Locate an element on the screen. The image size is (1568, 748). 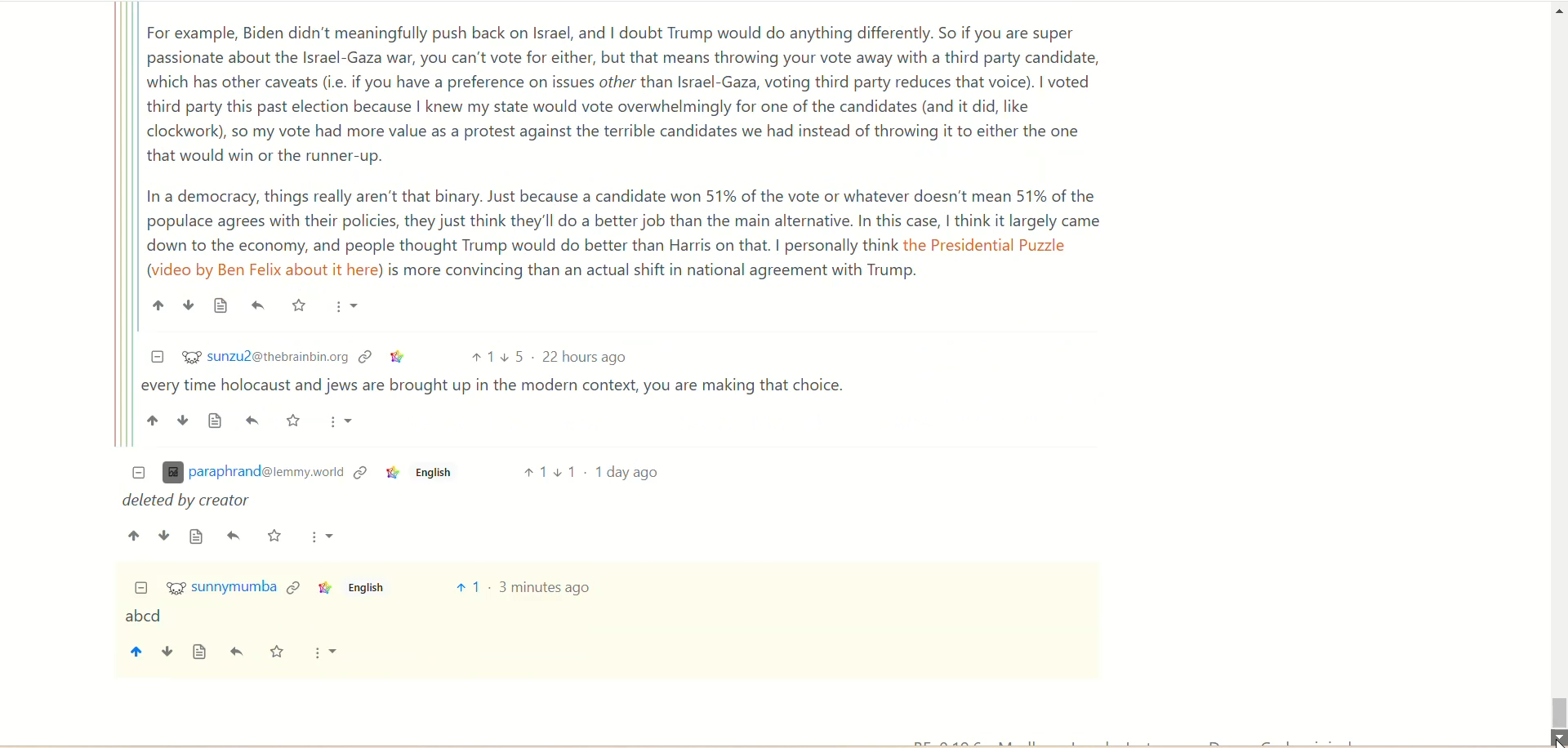
Reply is located at coordinates (260, 305).